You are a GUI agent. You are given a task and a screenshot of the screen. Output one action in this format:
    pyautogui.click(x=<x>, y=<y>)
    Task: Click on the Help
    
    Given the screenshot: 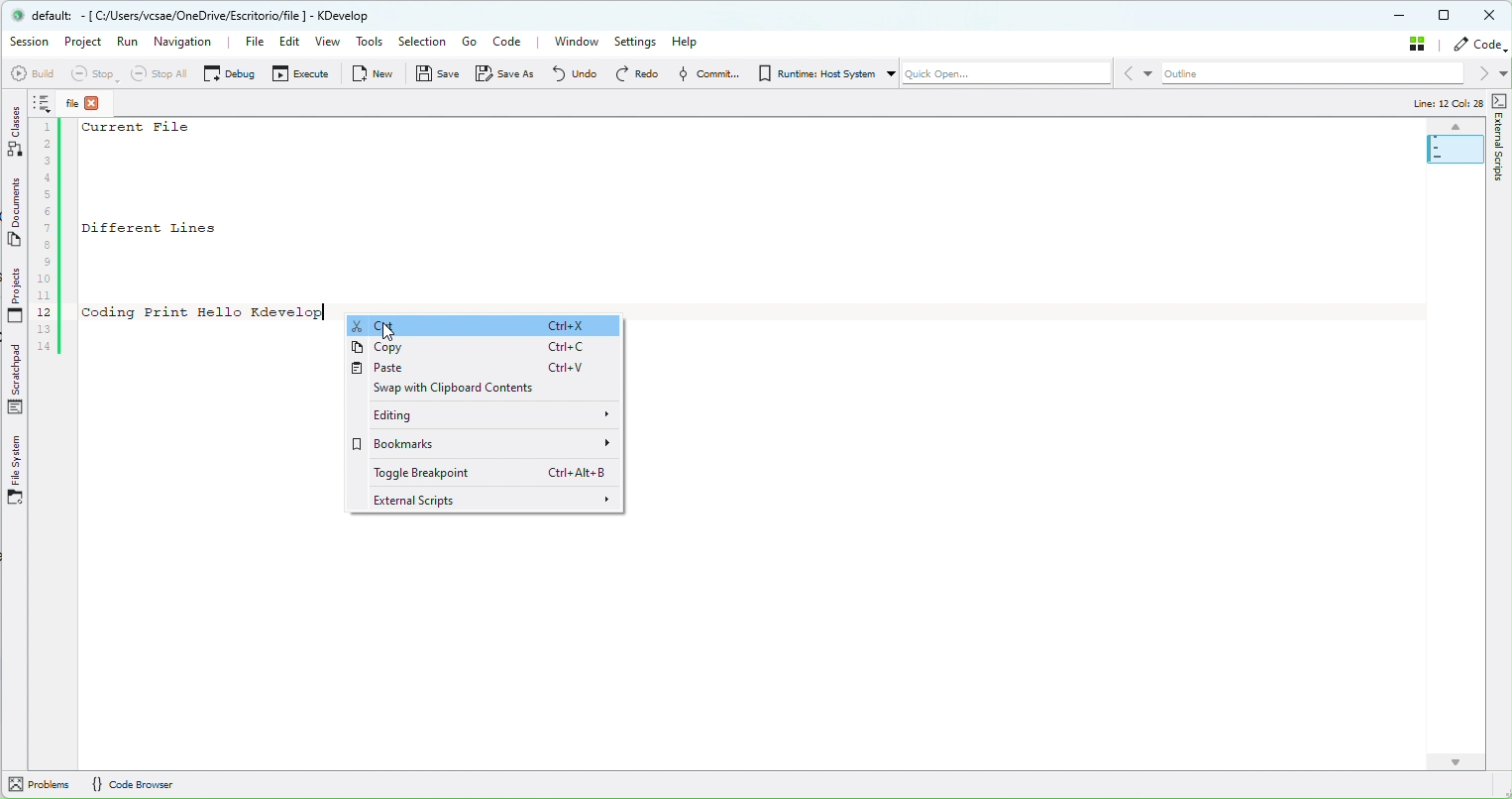 What is the action you would take?
    pyautogui.click(x=696, y=41)
    